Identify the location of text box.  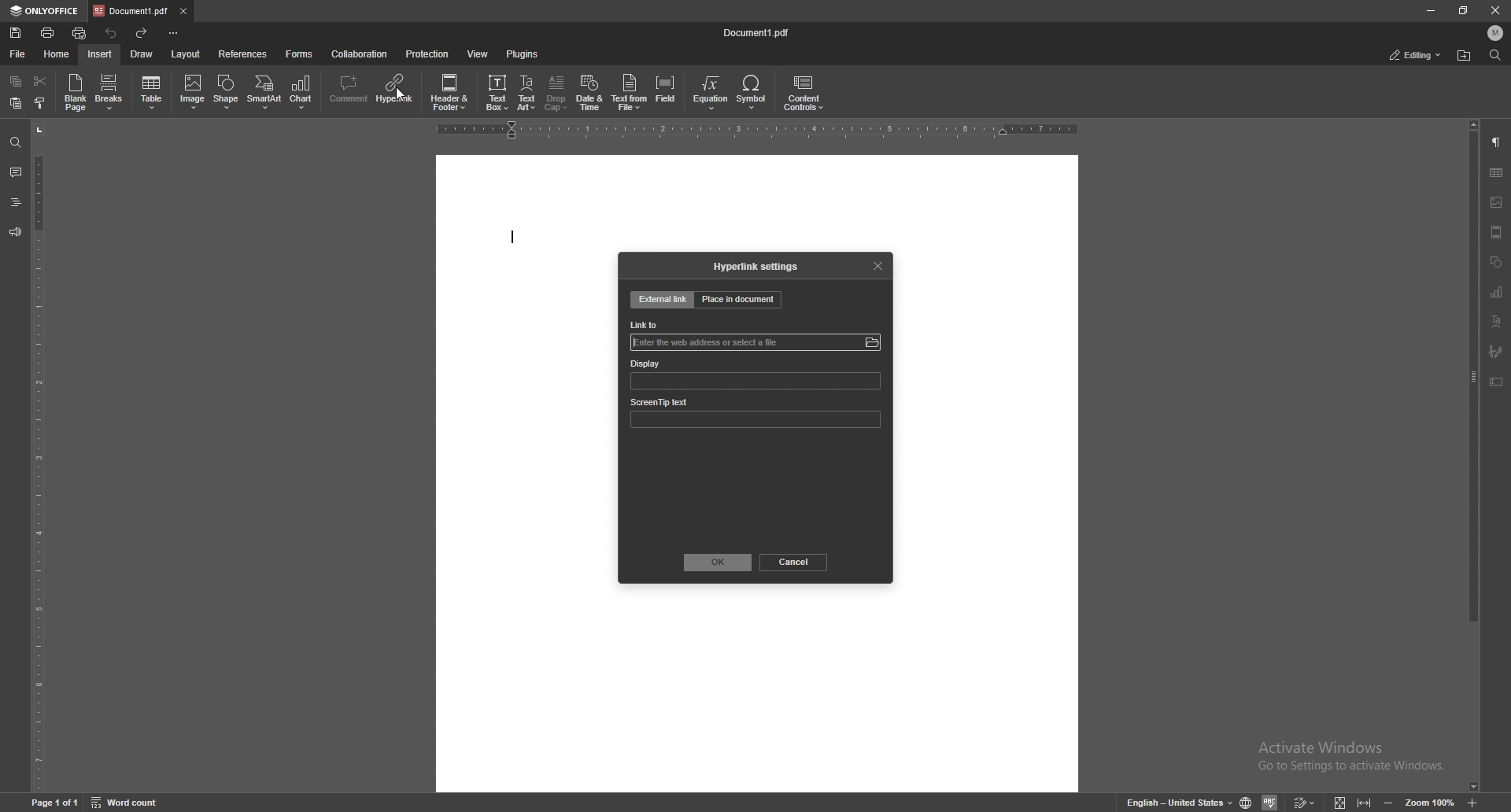
(497, 94).